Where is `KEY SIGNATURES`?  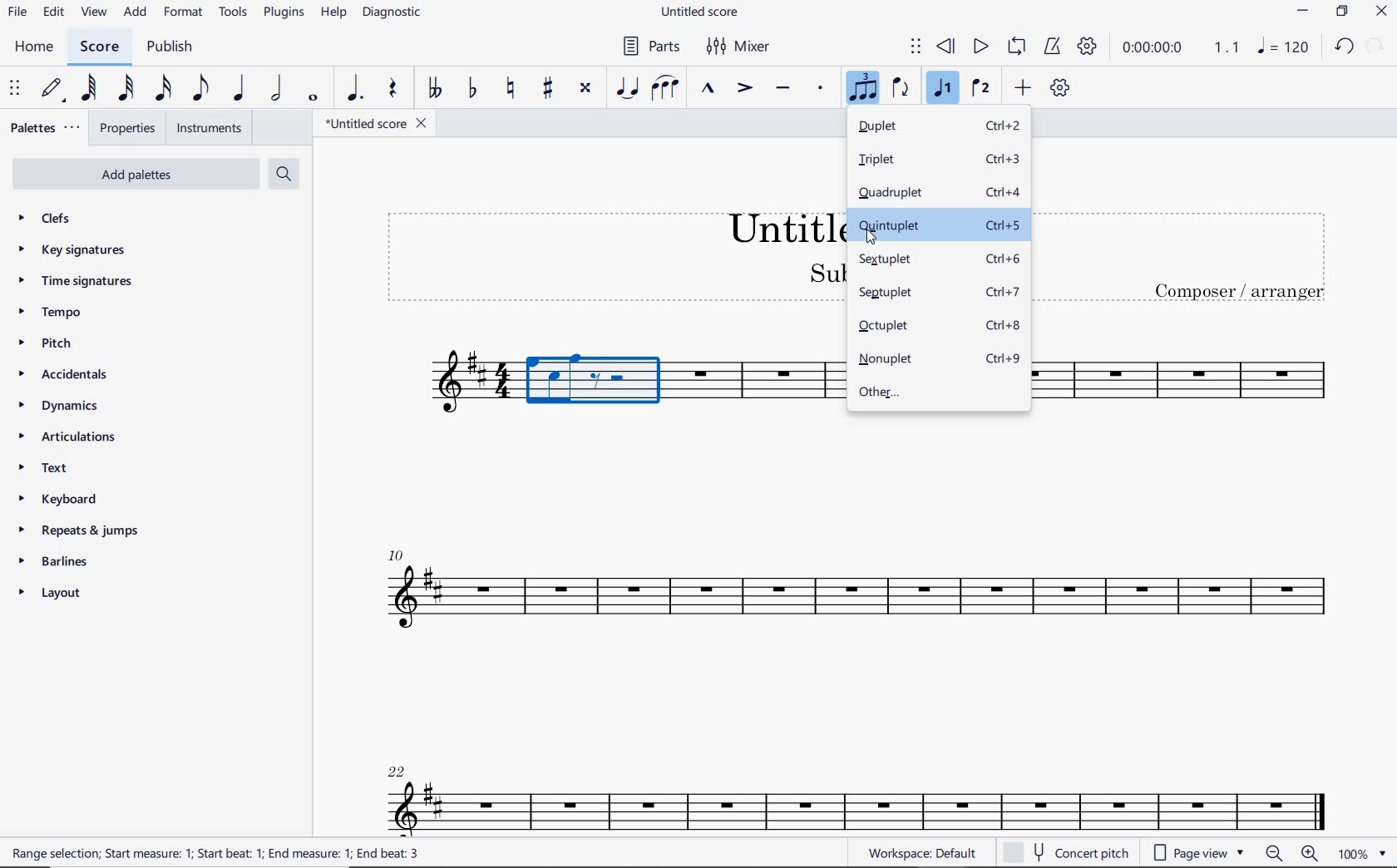 KEY SIGNATURES is located at coordinates (79, 250).